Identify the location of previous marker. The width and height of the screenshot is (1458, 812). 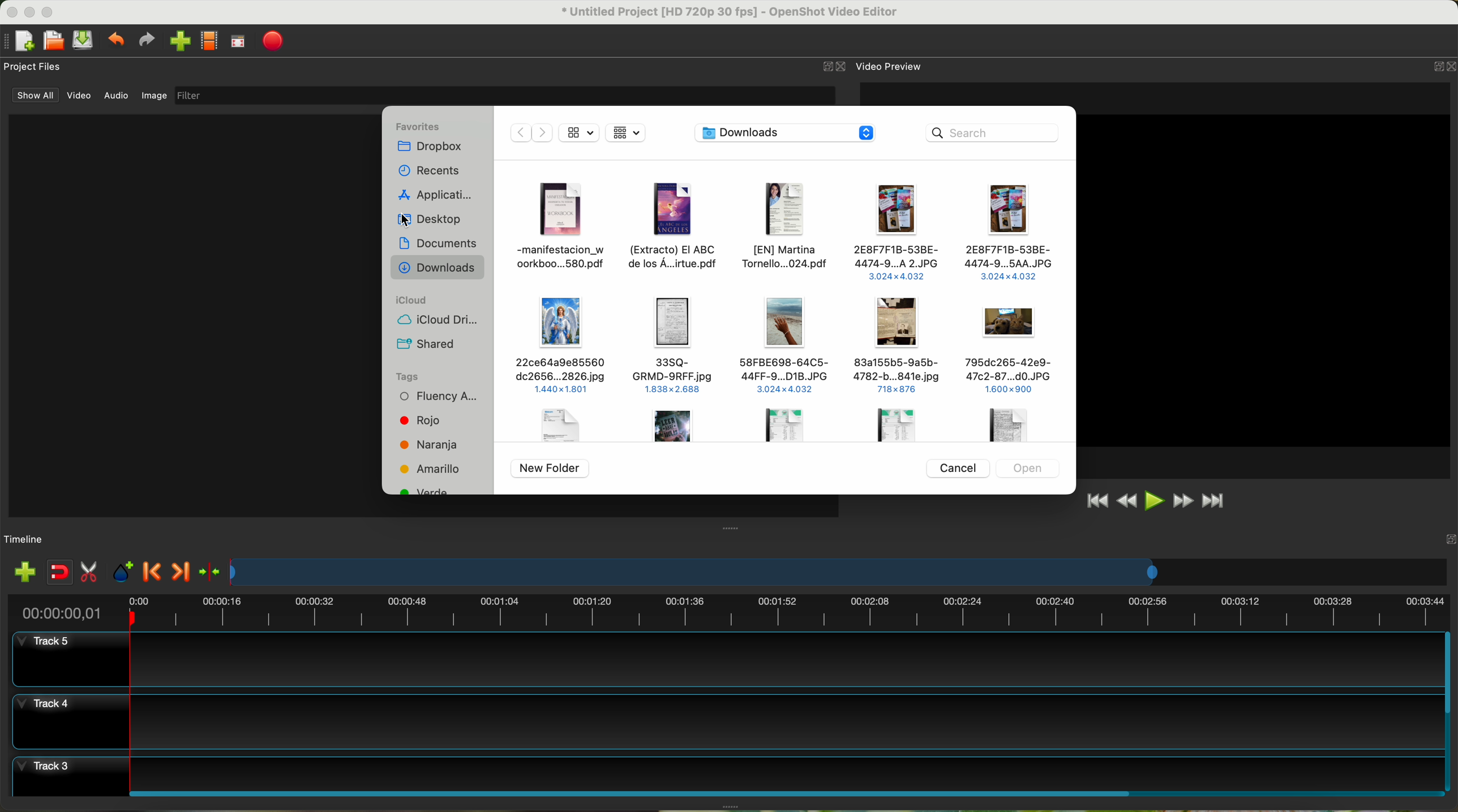
(153, 572).